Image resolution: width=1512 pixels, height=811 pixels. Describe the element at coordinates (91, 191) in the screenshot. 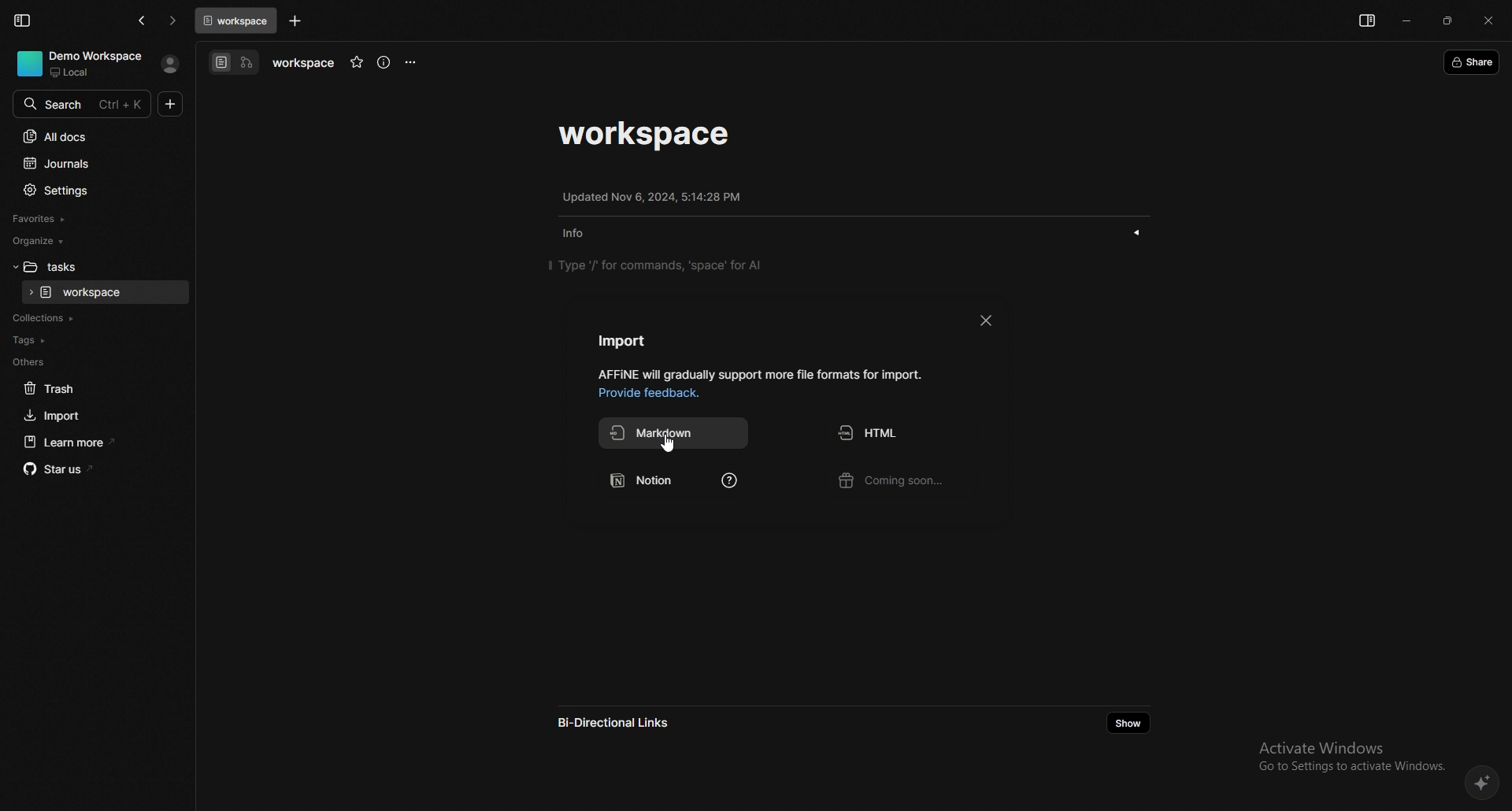

I see `settings` at that location.